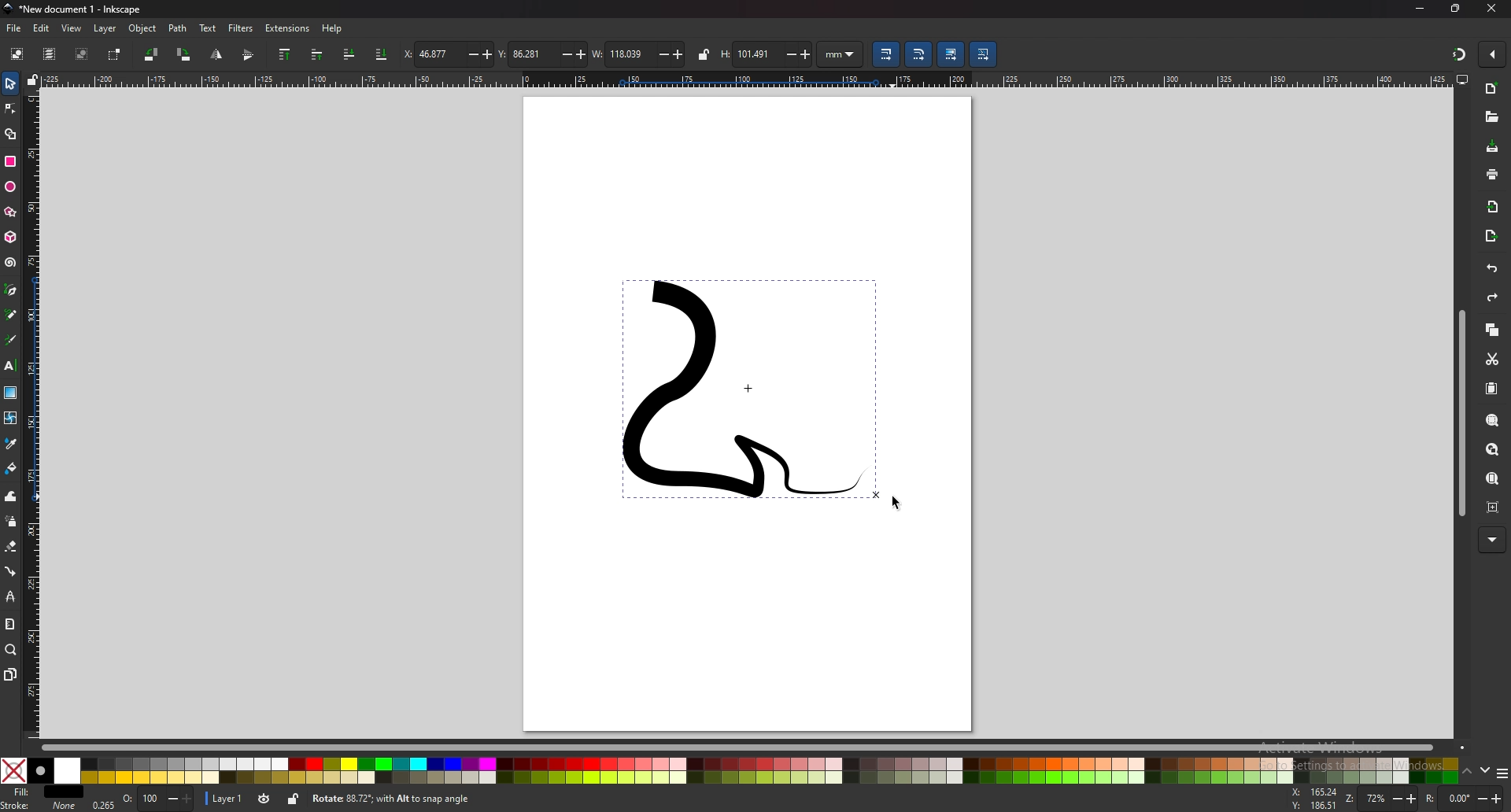  Describe the element at coordinates (10, 263) in the screenshot. I see `spiral` at that location.